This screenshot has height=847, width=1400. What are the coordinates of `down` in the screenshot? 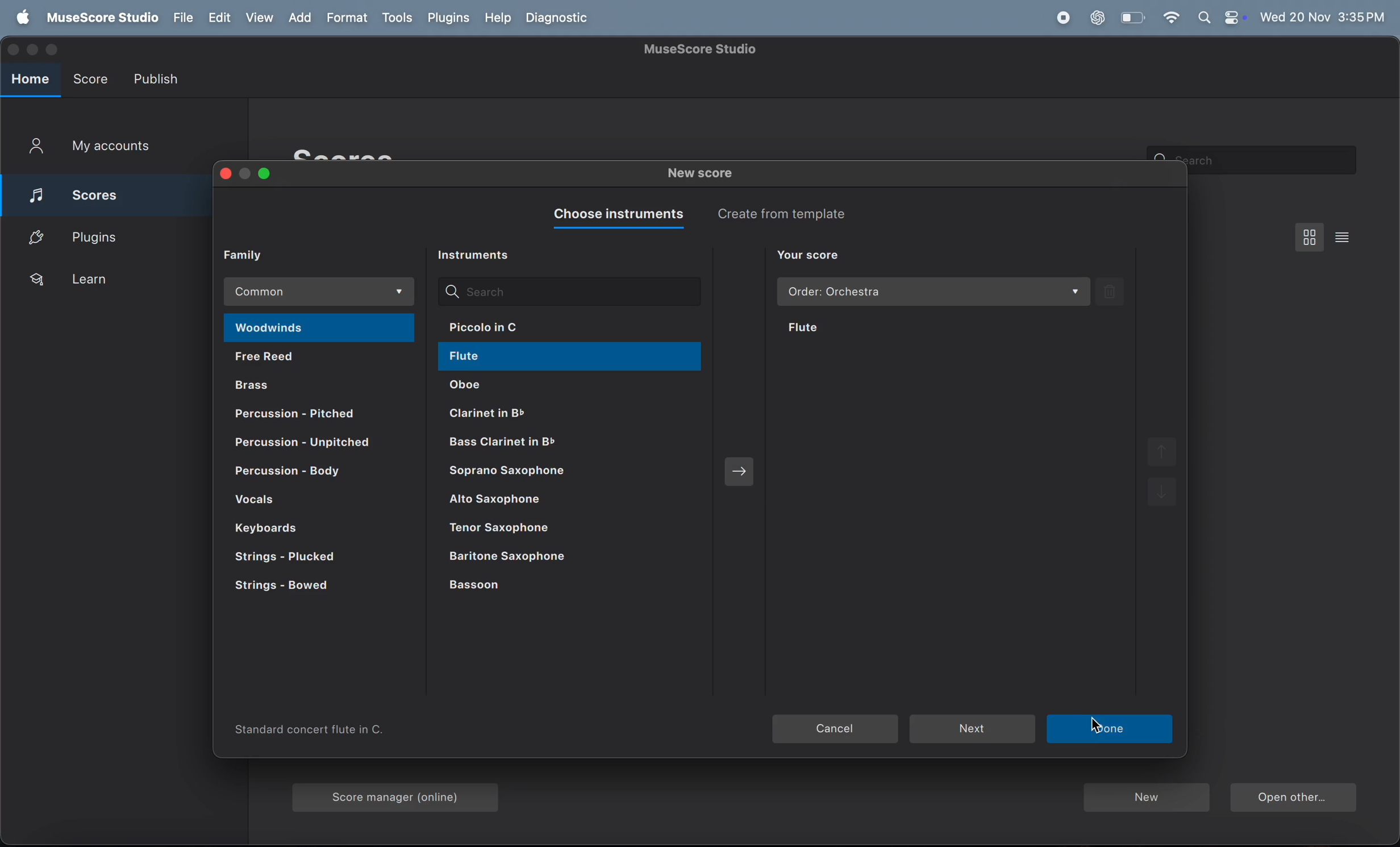 It's located at (1164, 496).